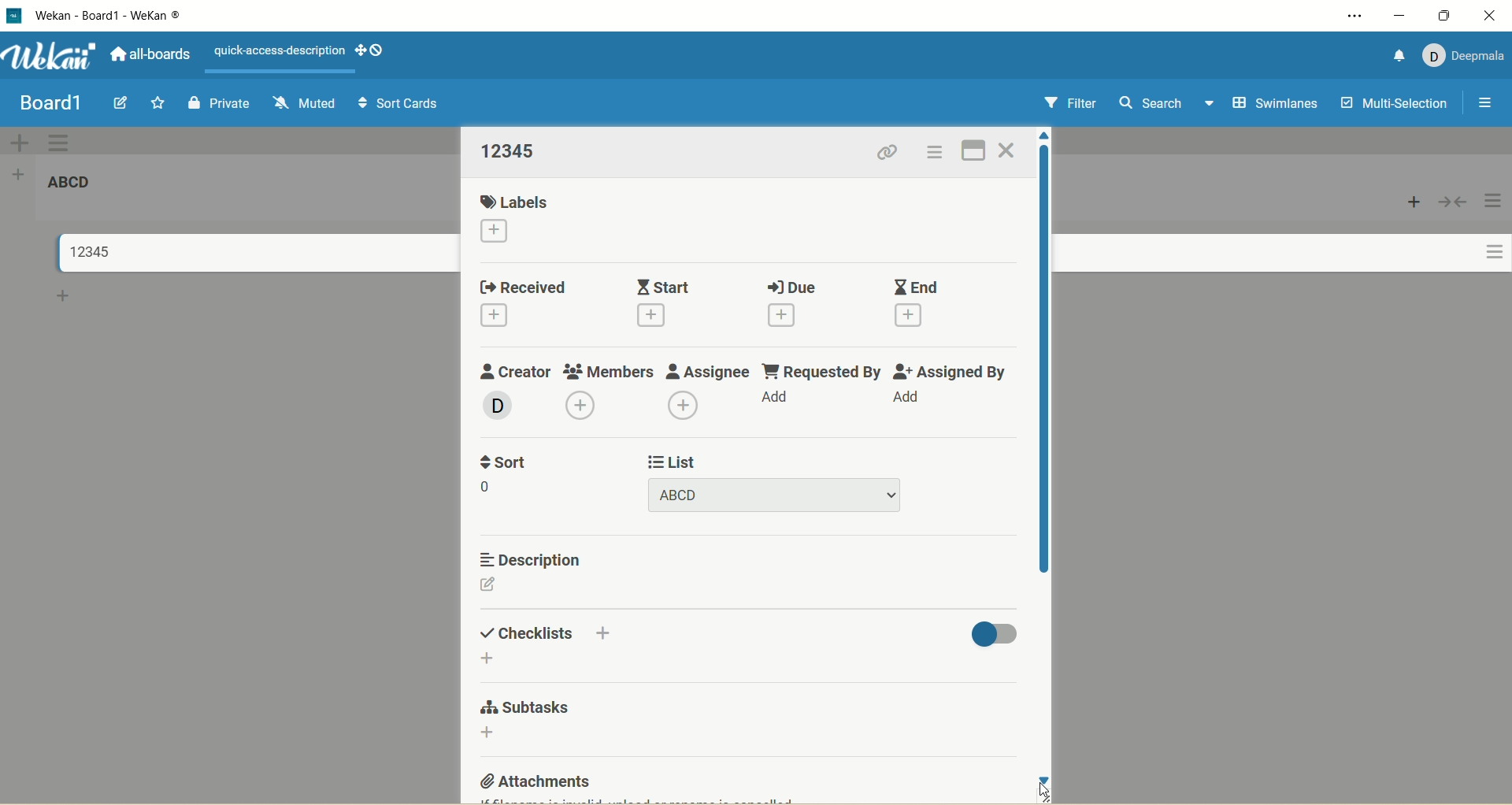  I want to click on maximize, so click(1447, 15).